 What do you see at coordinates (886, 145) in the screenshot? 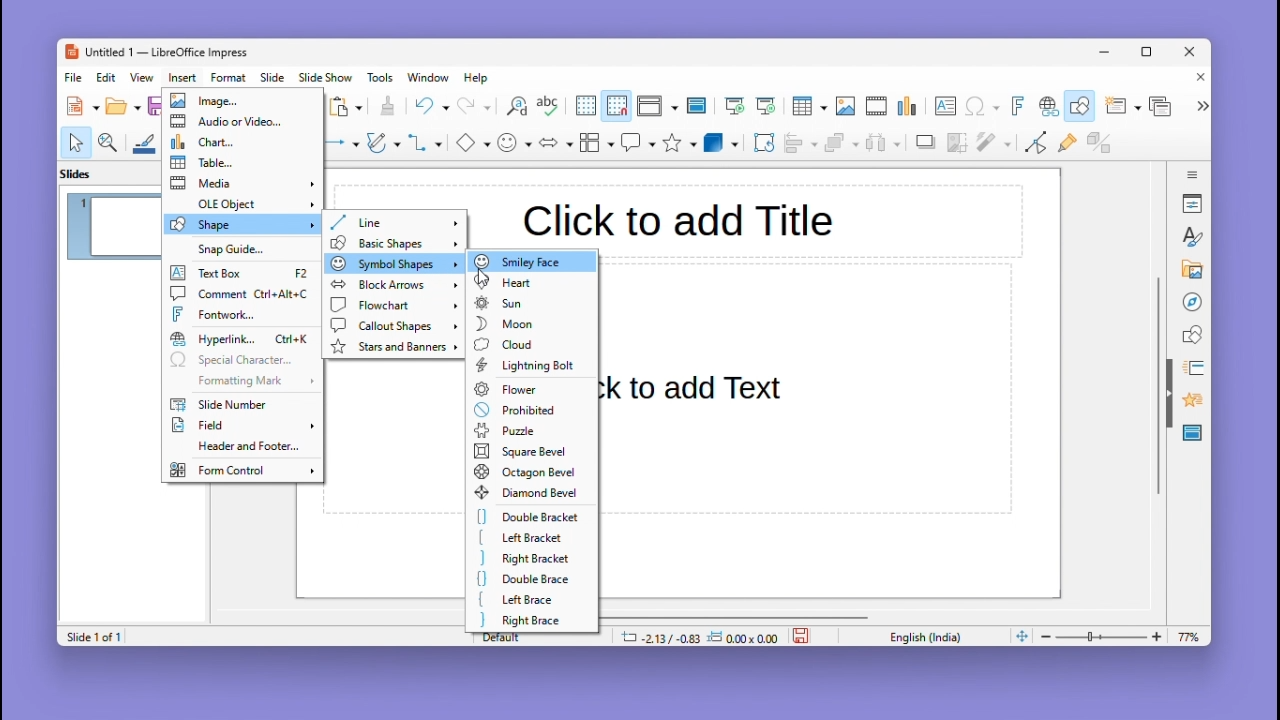
I see `Distribute` at bounding box center [886, 145].